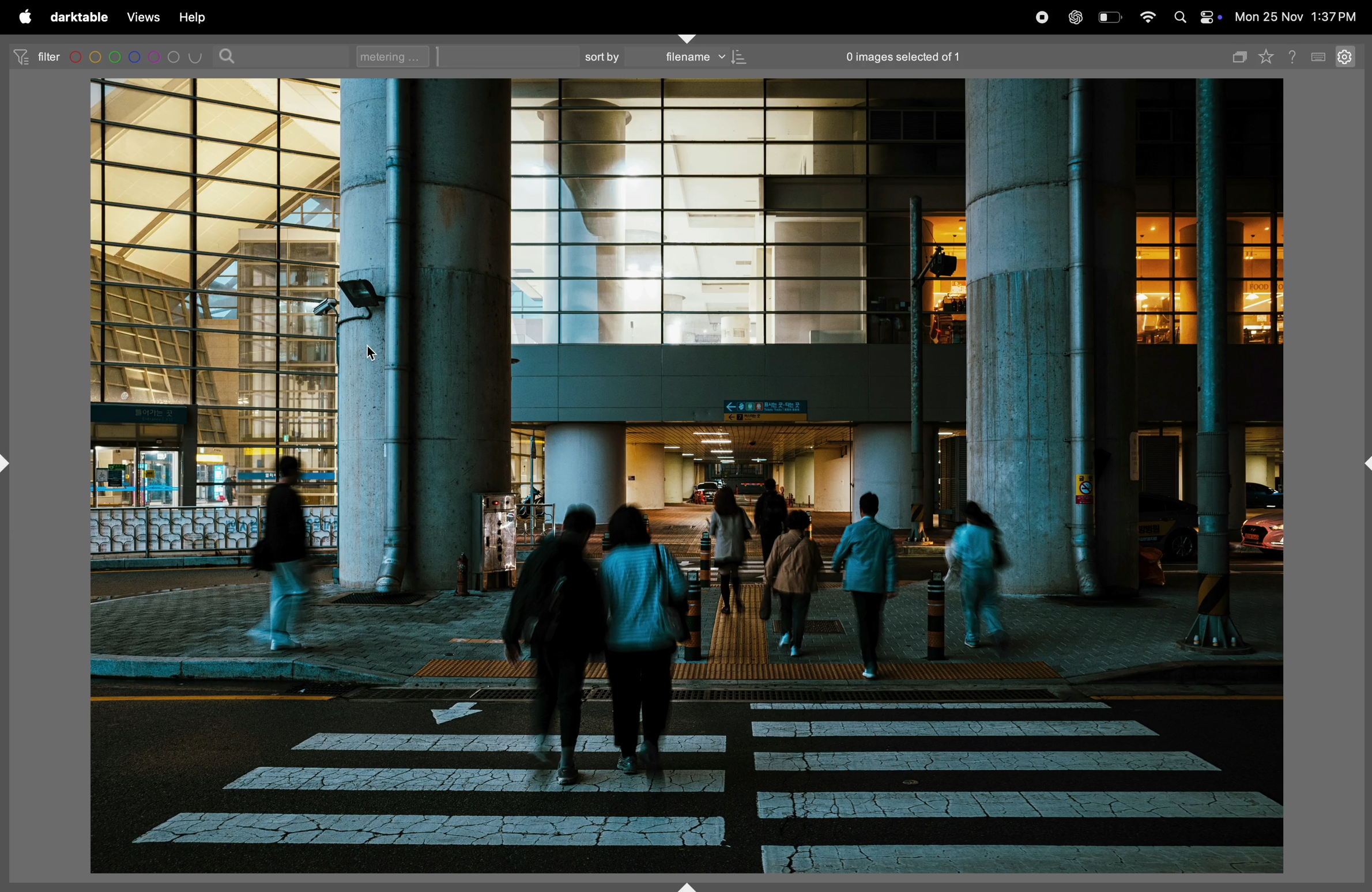 Image resolution: width=1372 pixels, height=892 pixels. Describe the element at coordinates (926, 56) in the screenshot. I see `no of images selected` at that location.